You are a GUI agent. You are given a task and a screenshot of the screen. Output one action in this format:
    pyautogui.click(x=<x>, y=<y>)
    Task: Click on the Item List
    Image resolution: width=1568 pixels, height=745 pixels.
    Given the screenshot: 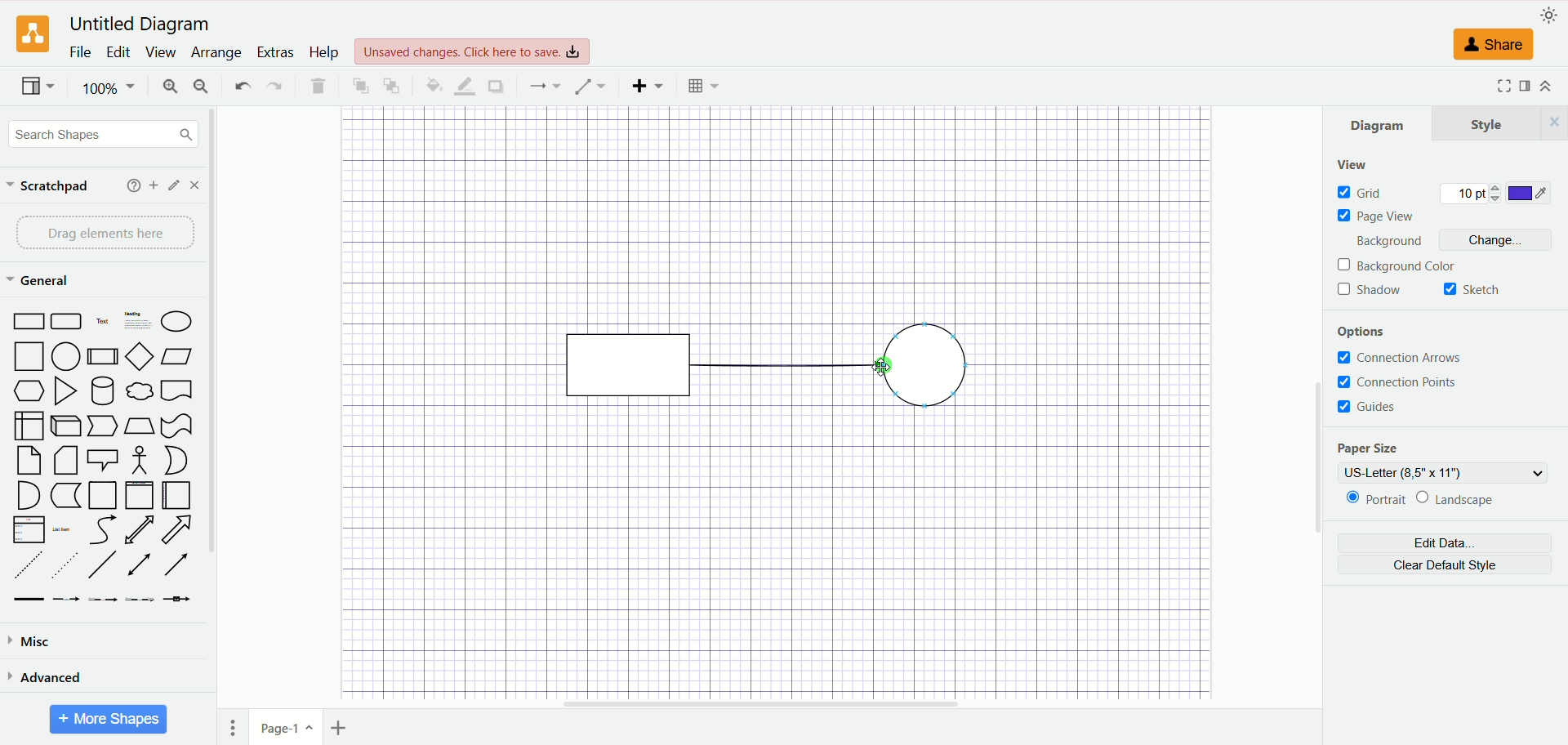 What is the action you would take?
    pyautogui.click(x=28, y=529)
    